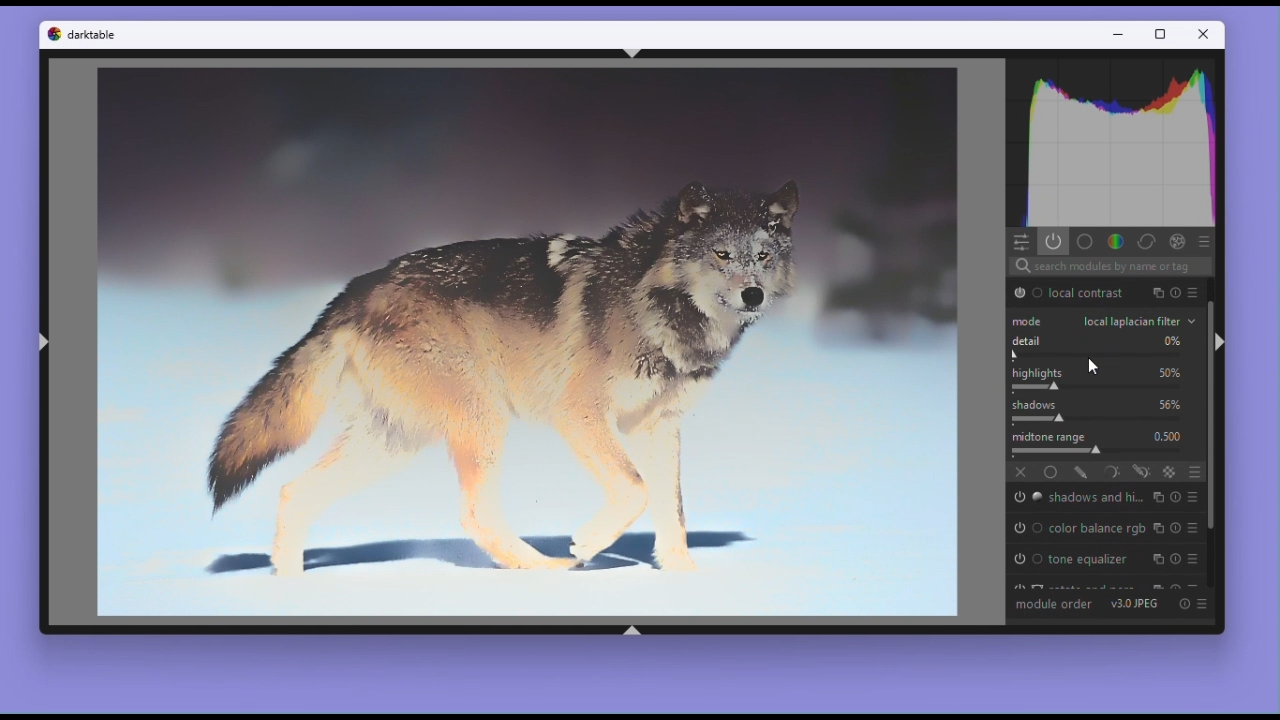 Image resolution: width=1280 pixels, height=720 pixels. What do you see at coordinates (1112, 472) in the screenshot?
I see `Parametric mask` at bounding box center [1112, 472].